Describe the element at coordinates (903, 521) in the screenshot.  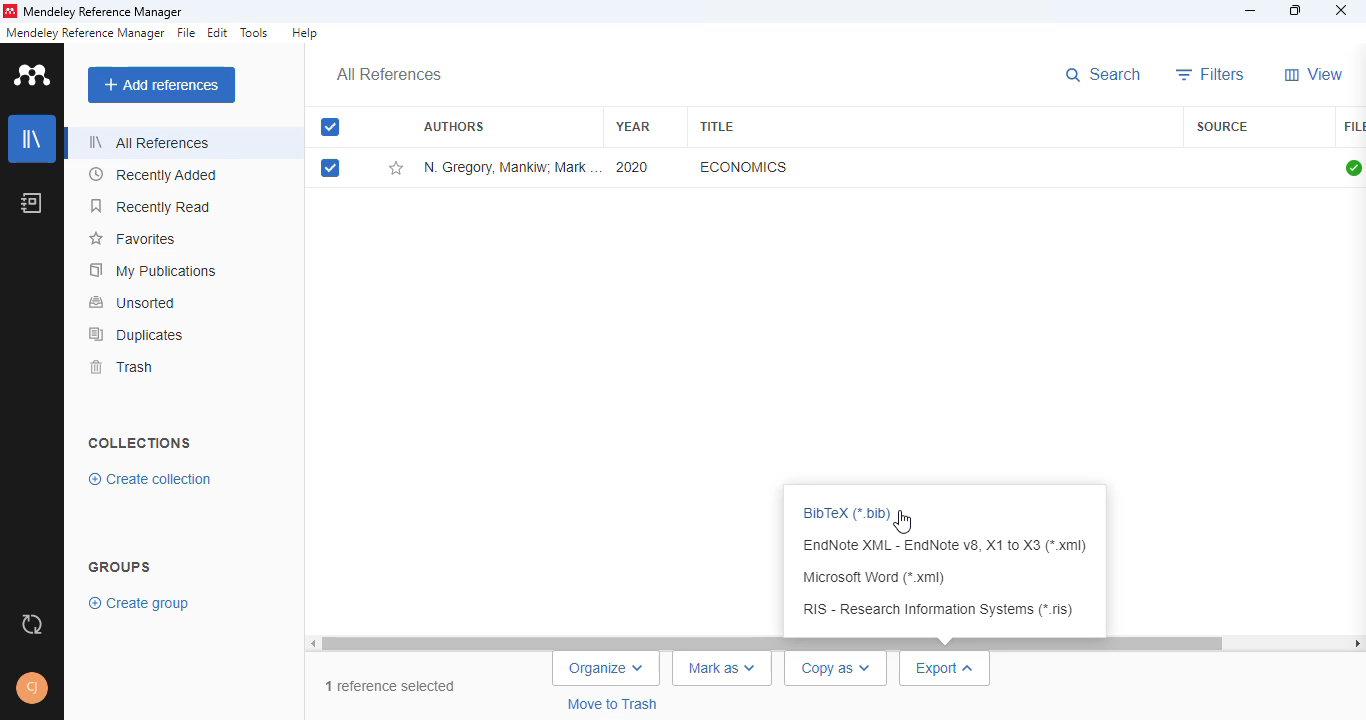
I see `cursor` at that location.